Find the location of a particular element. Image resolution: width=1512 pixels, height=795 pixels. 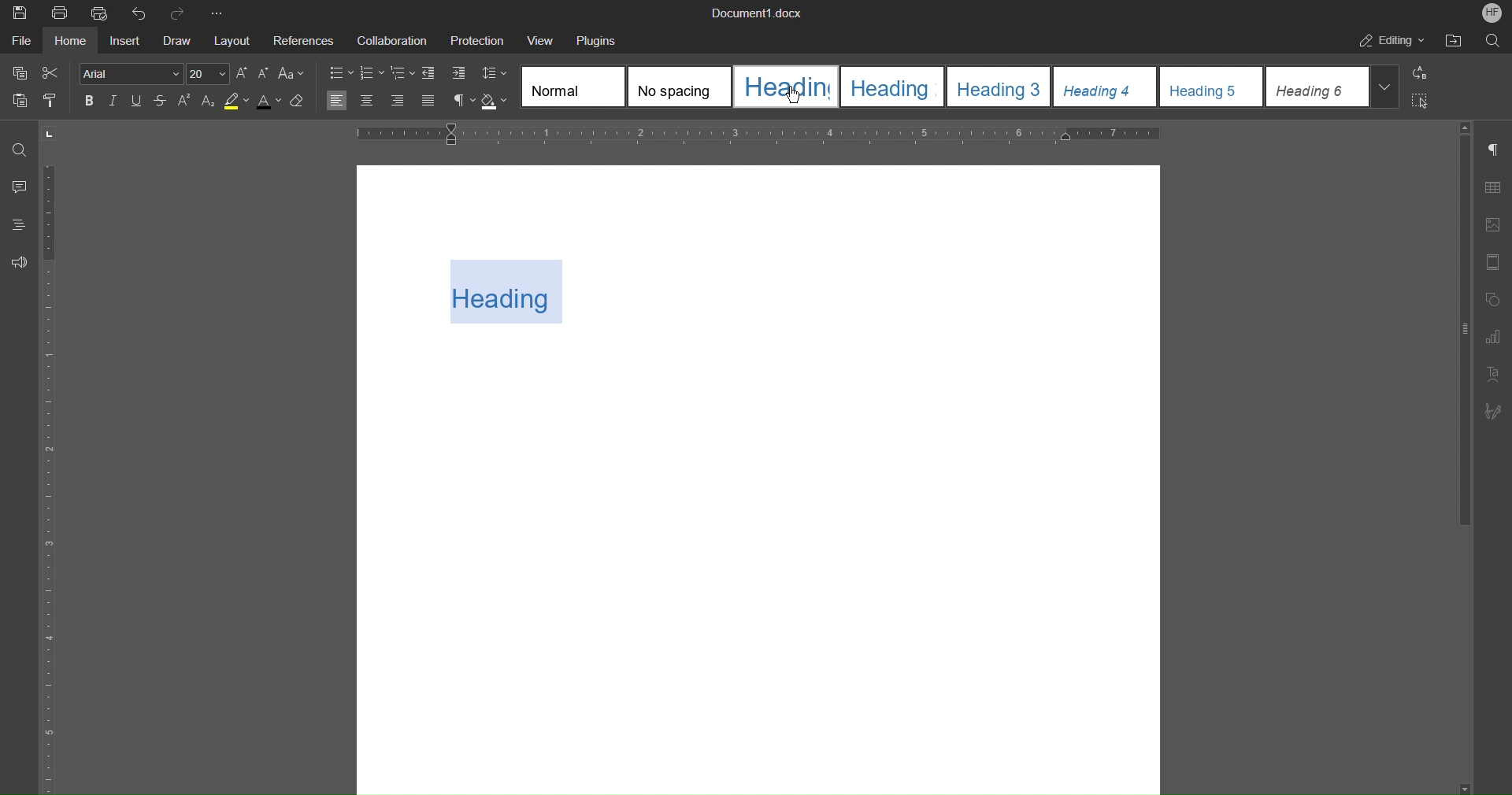

Normal is located at coordinates (573, 86).